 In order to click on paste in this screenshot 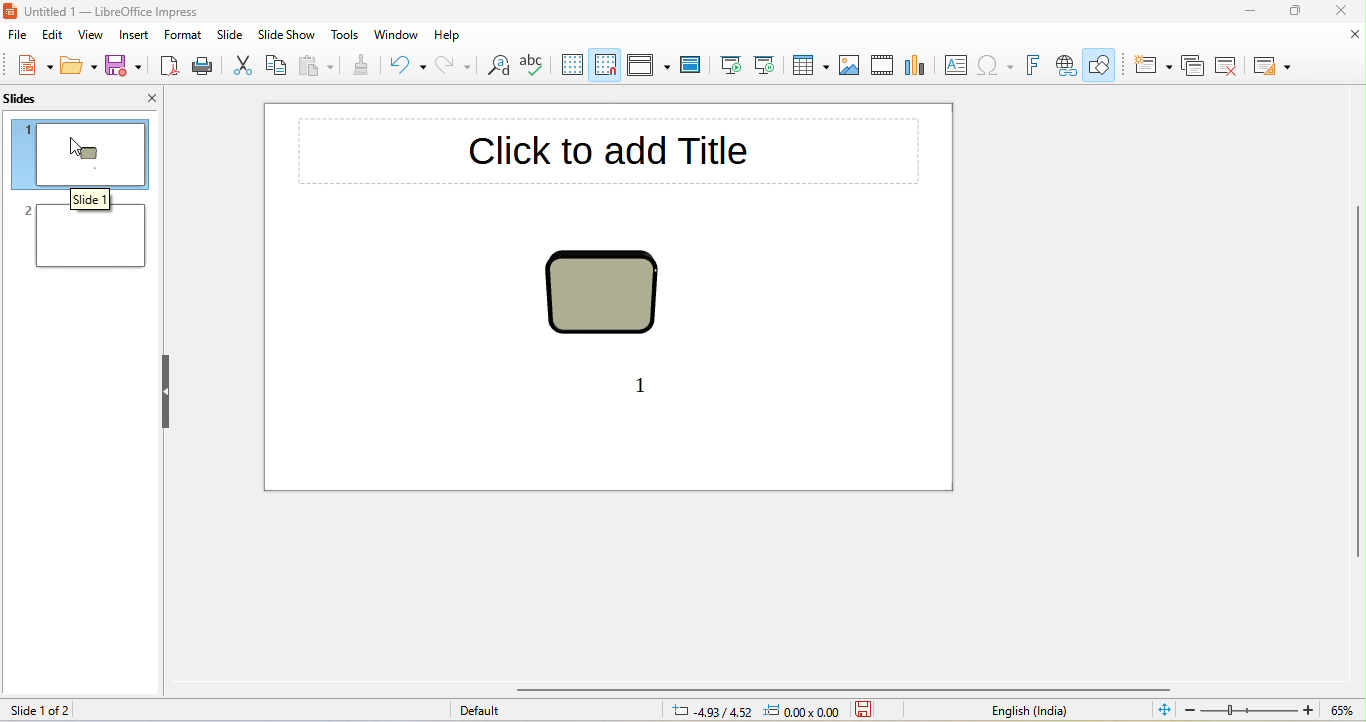, I will do `click(317, 69)`.